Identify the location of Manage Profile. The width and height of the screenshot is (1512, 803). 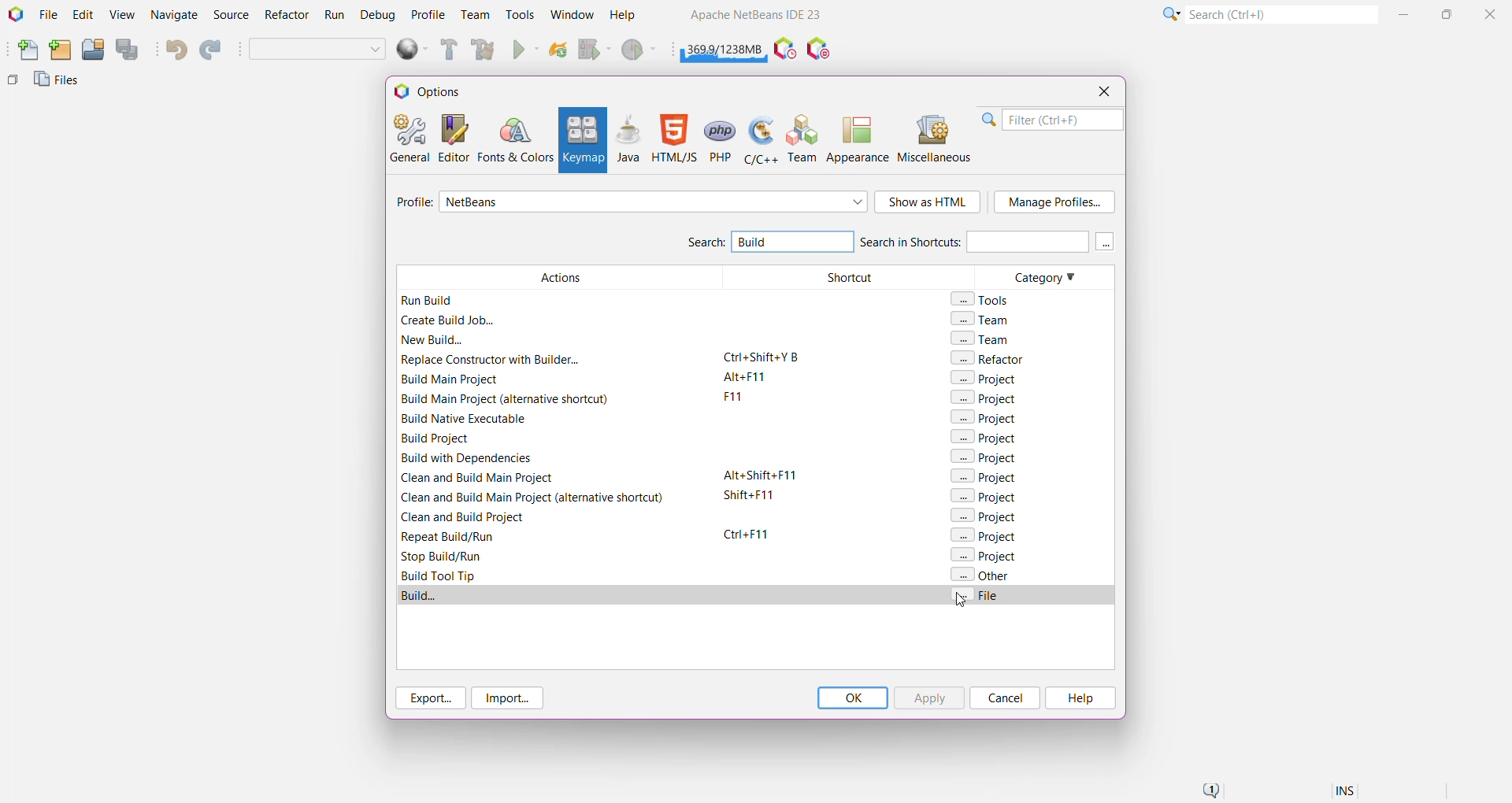
(1054, 202).